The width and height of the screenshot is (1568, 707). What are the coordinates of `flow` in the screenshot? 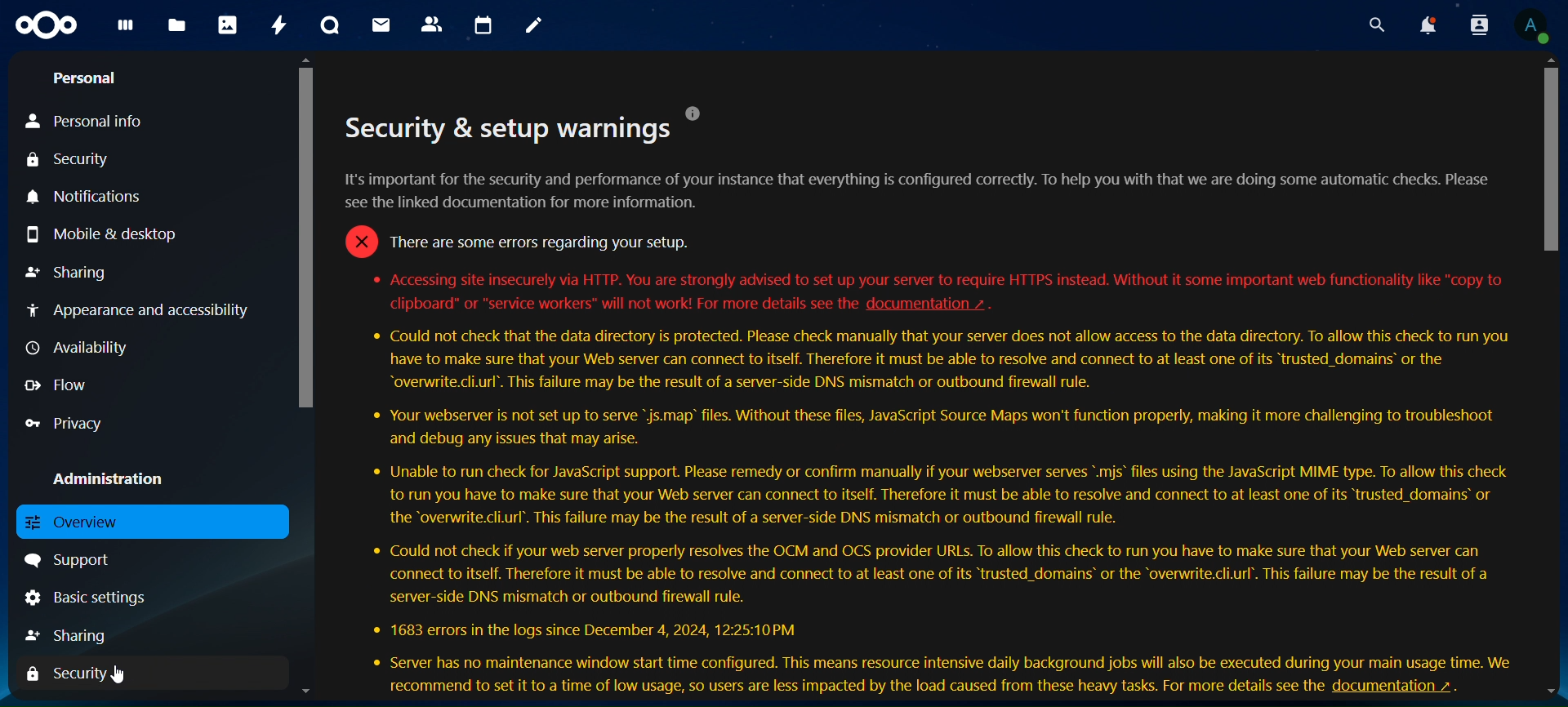 It's located at (65, 386).